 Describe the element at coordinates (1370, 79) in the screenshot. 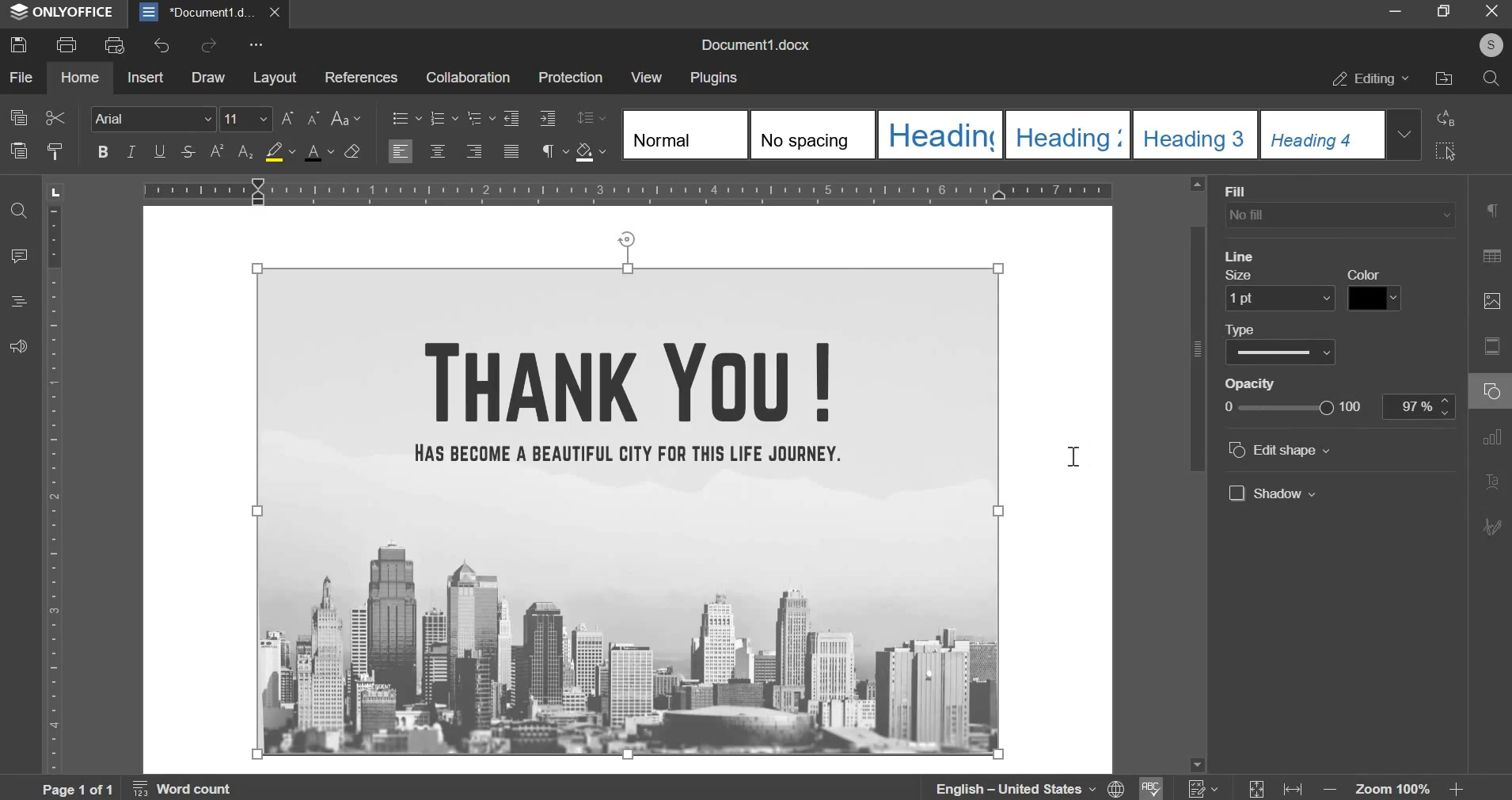

I see `editing` at that location.